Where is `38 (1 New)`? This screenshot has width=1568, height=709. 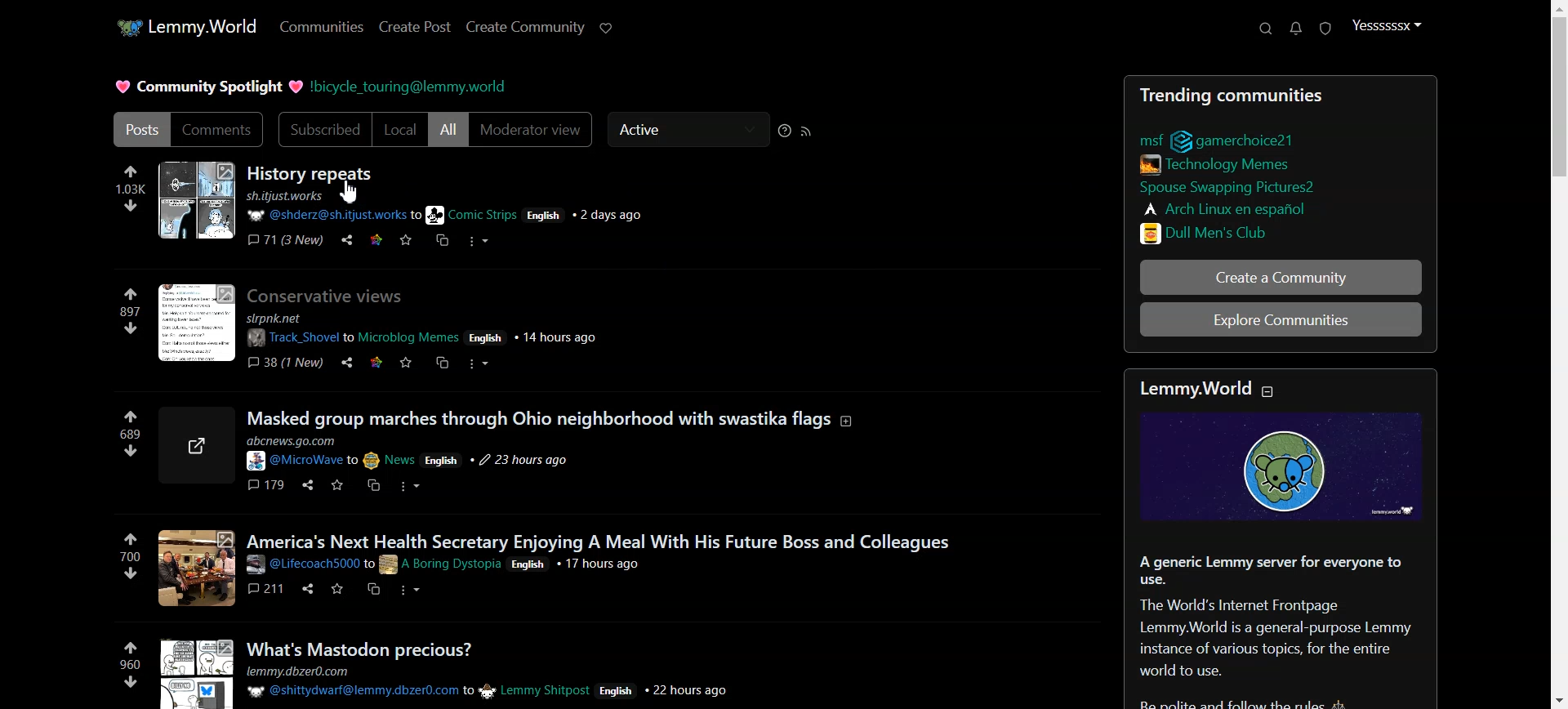 38 (1 New) is located at coordinates (286, 363).